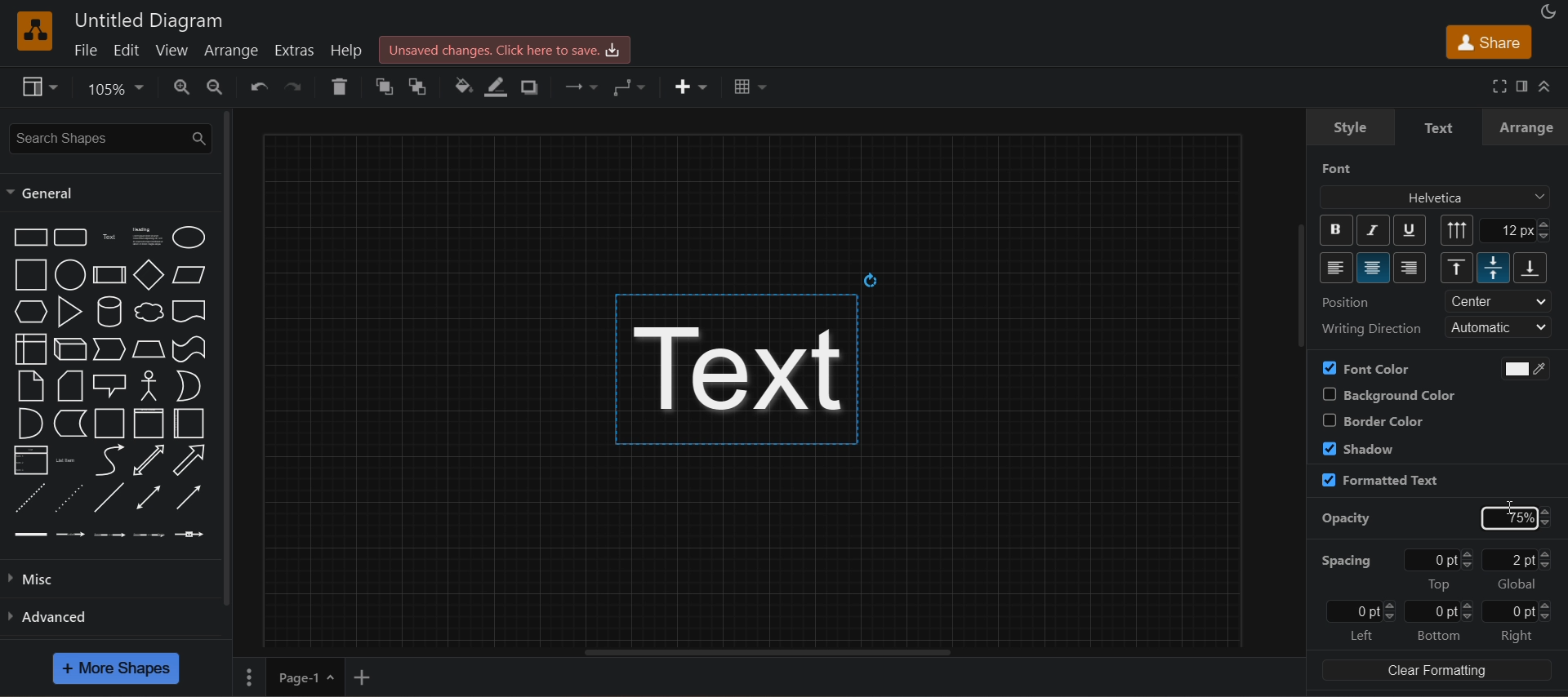 Image resolution: width=1568 pixels, height=697 pixels. What do you see at coordinates (189, 237) in the screenshot?
I see `ellipse` at bounding box center [189, 237].